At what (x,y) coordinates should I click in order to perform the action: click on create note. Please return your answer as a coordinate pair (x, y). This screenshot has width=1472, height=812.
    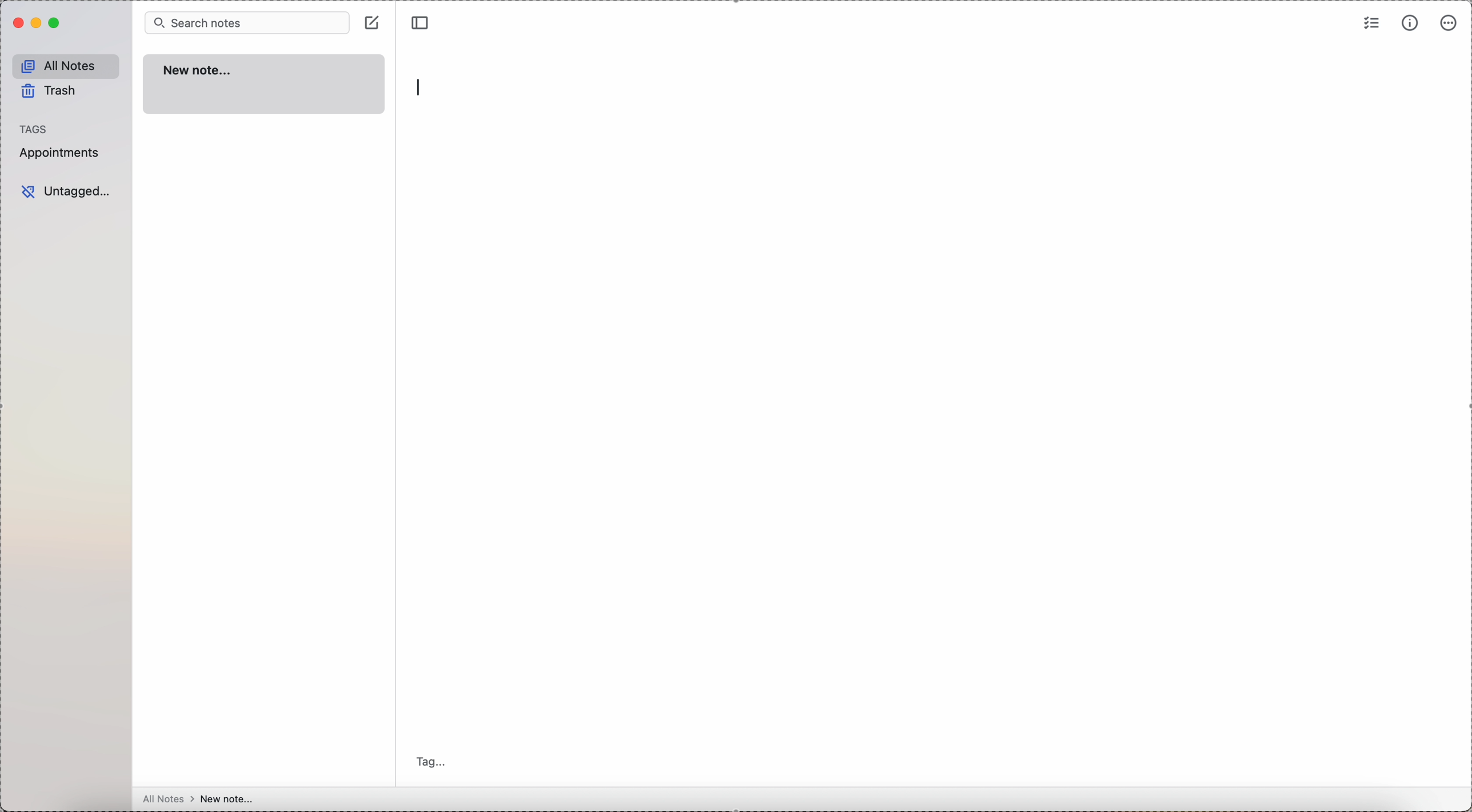
    Looking at the image, I should click on (374, 22).